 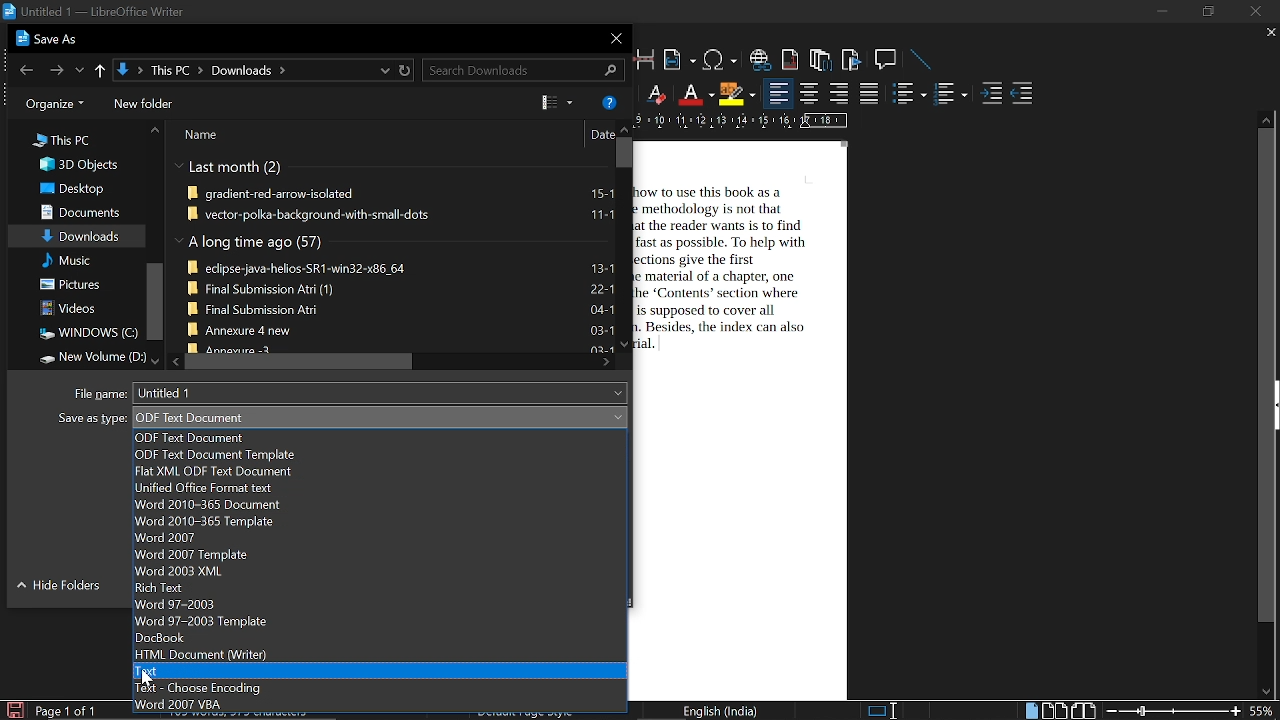 What do you see at coordinates (401, 287) in the screenshot?
I see `Final Submission Atri (1) 22-1` at bounding box center [401, 287].